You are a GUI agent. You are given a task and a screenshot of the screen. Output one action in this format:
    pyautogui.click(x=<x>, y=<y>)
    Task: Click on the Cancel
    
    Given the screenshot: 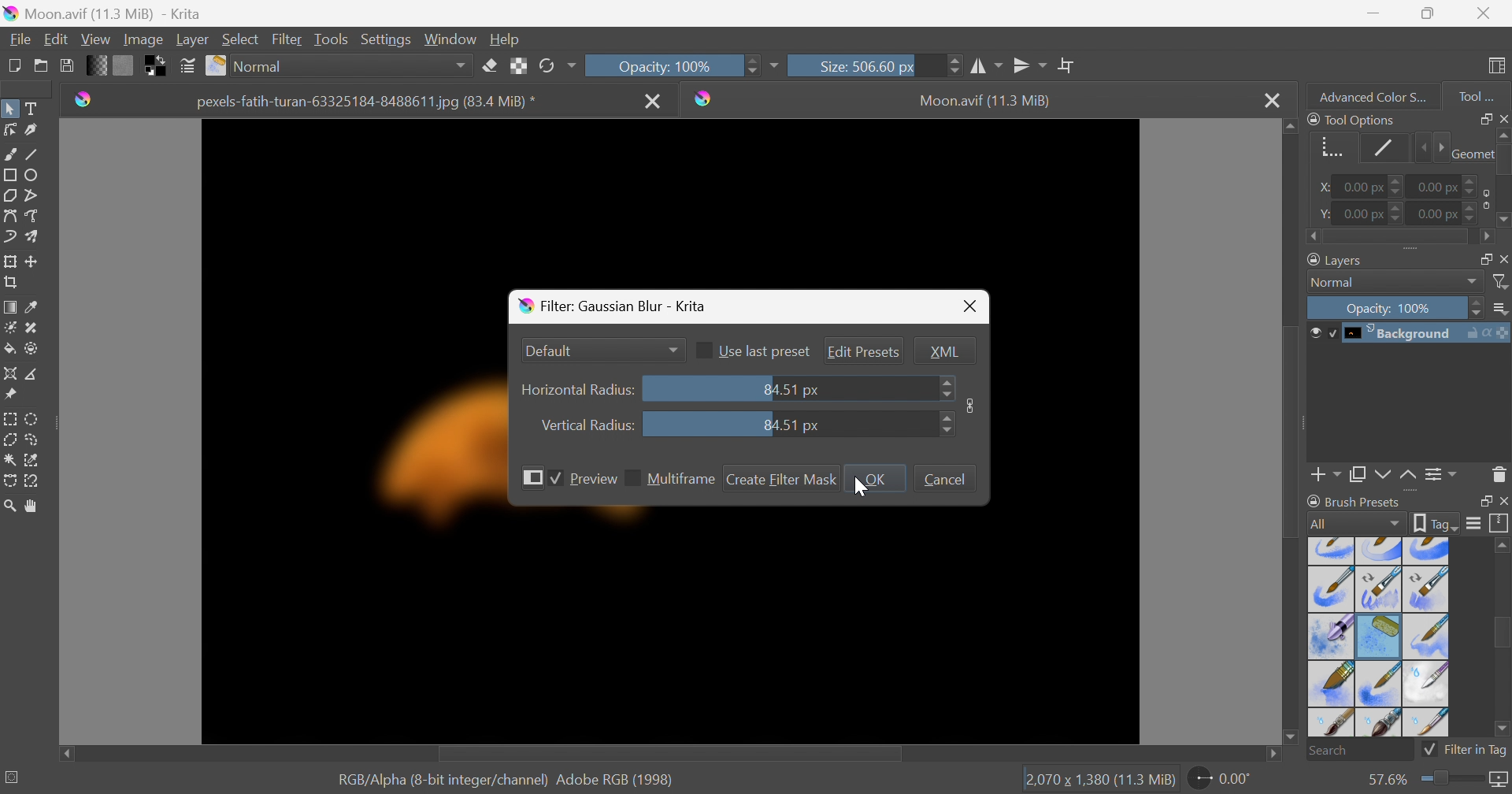 What is the action you would take?
    pyautogui.click(x=947, y=479)
    